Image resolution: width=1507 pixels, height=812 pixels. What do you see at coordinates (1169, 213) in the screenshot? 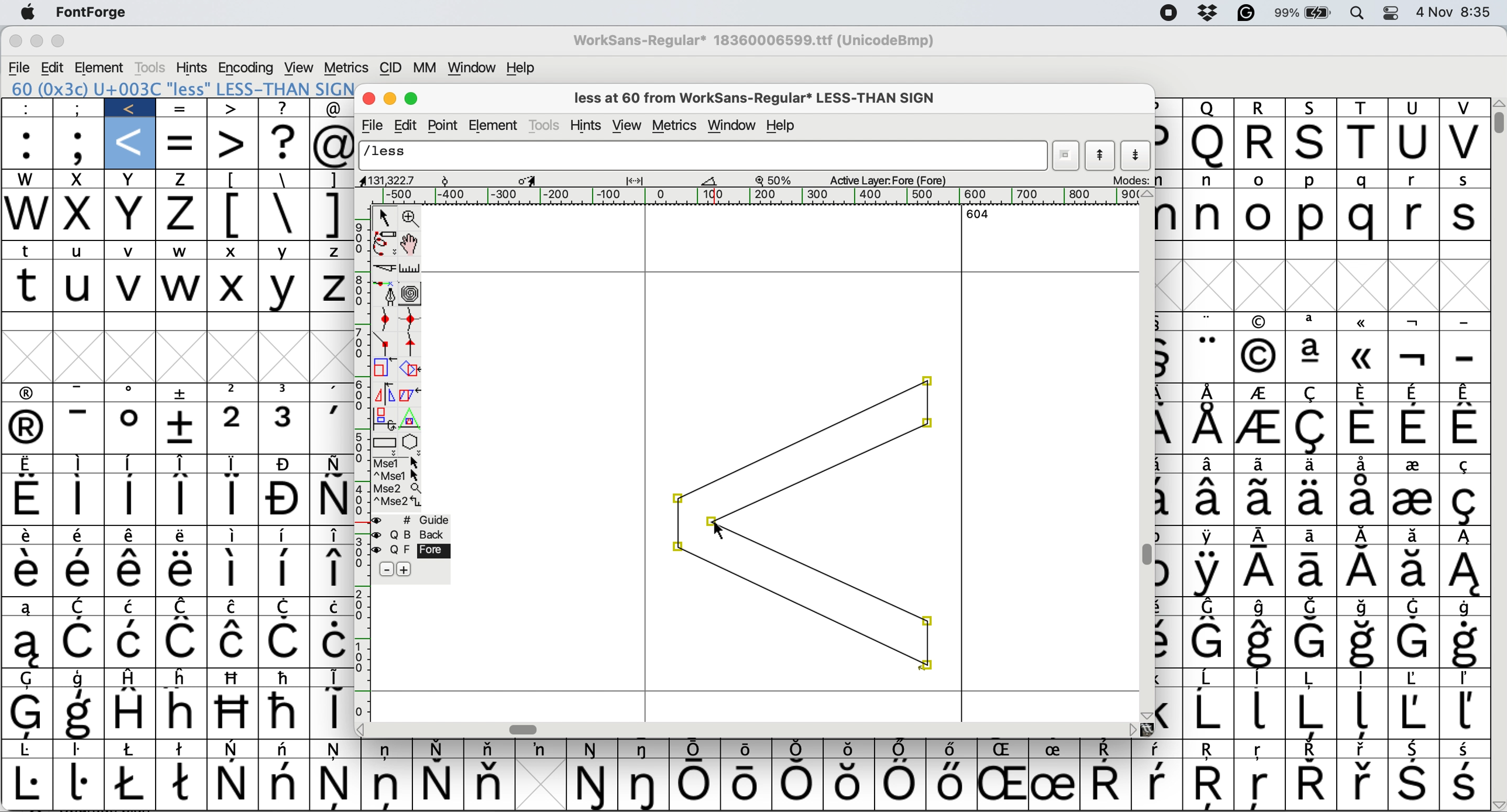
I see `m` at bounding box center [1169, 213].